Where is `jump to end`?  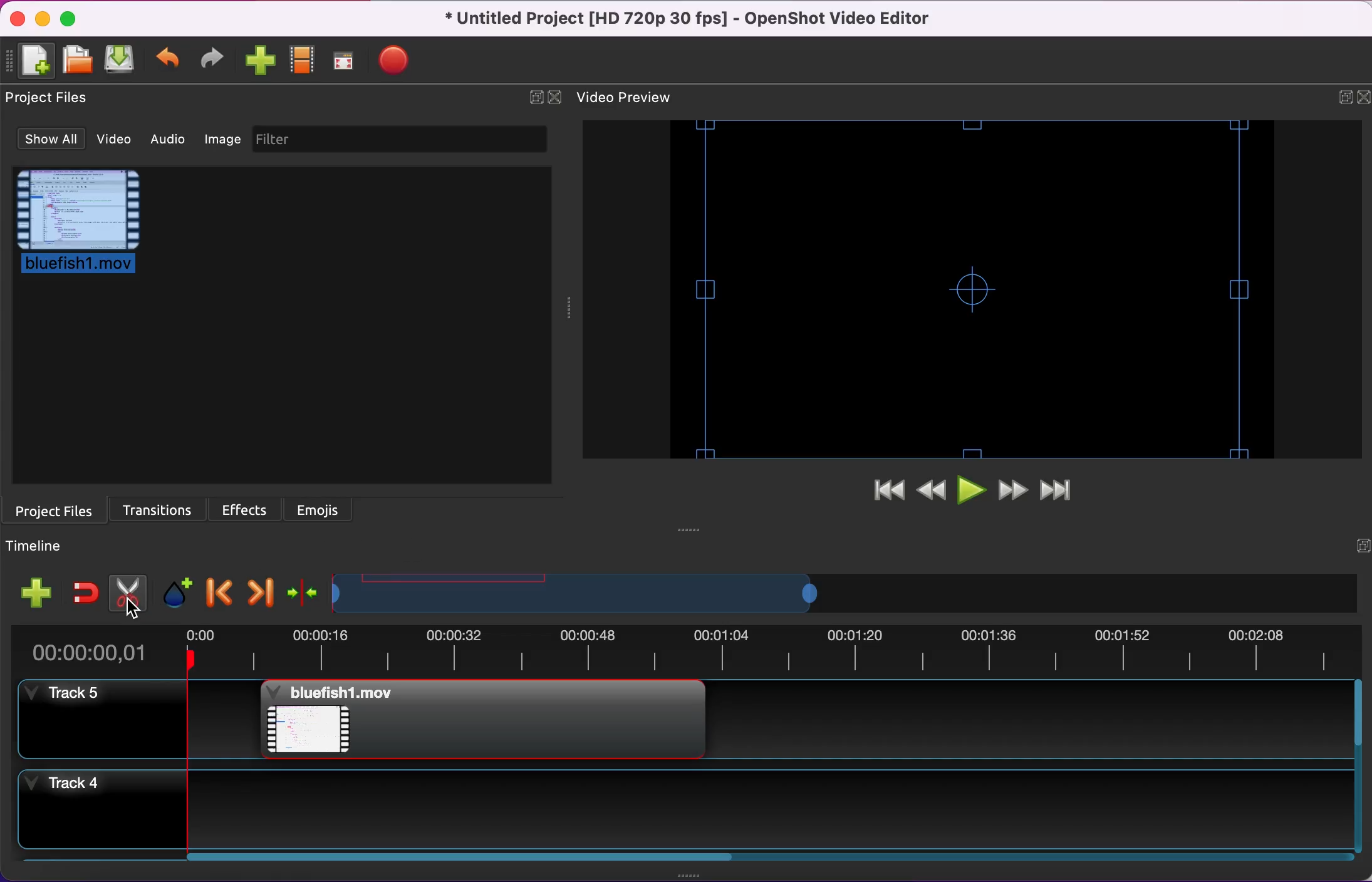
jump to end is located at coordinates (1065, 491).